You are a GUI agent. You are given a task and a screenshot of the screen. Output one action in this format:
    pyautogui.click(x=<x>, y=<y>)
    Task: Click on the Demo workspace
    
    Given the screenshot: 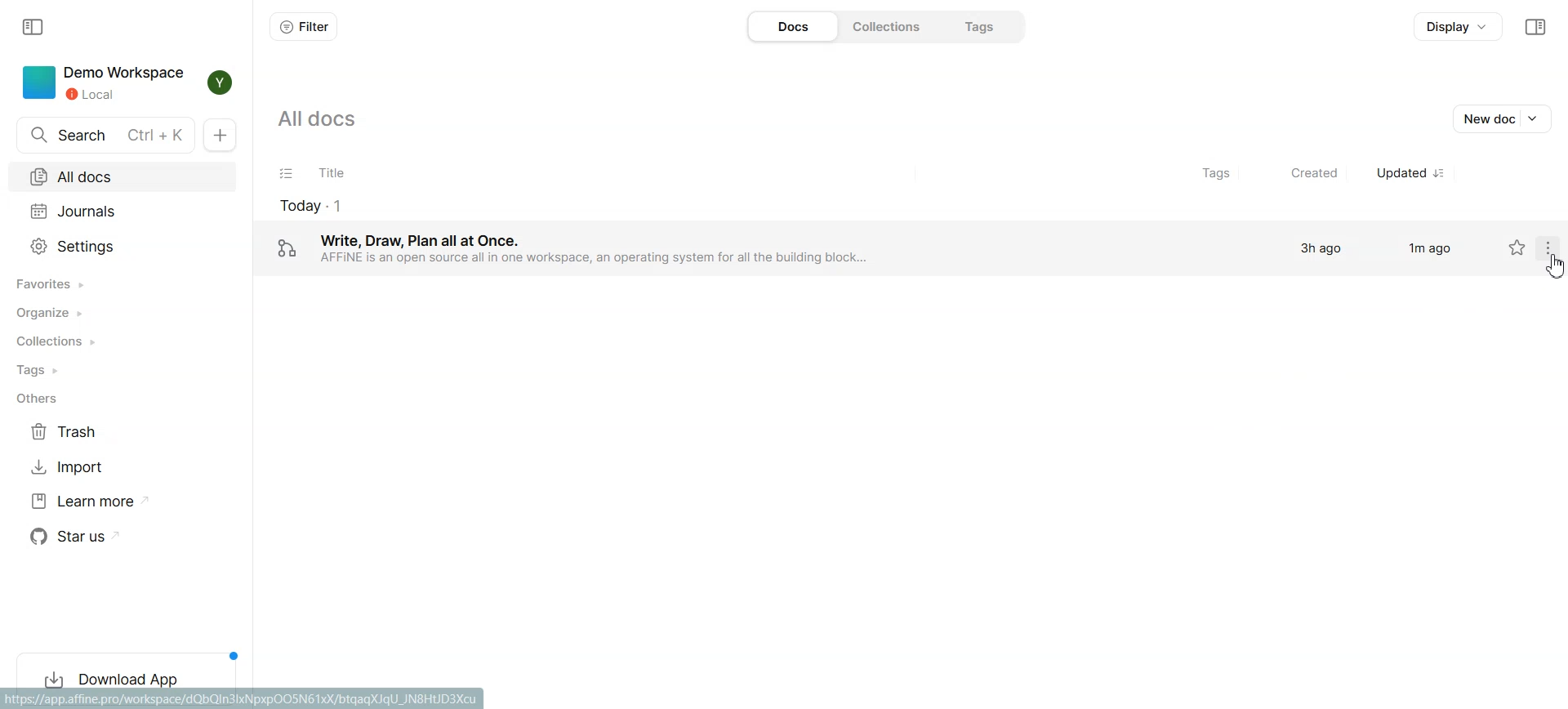 What is the action you would take?
    pyautogui.click(x=104, y=83)
    